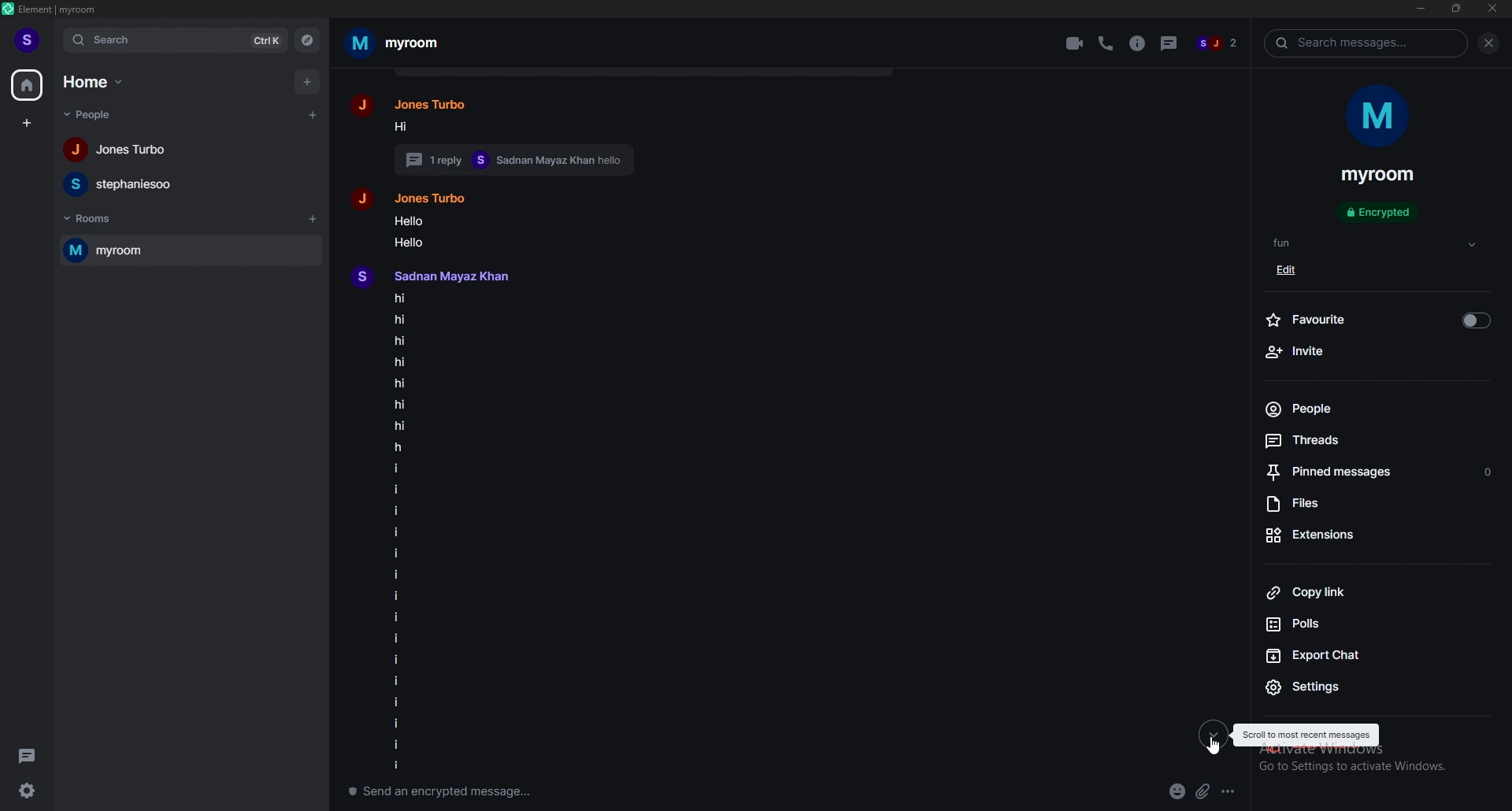  Describe the element at coordinates (1217, 43) in the screenshot. I see `sj 2` at that location.